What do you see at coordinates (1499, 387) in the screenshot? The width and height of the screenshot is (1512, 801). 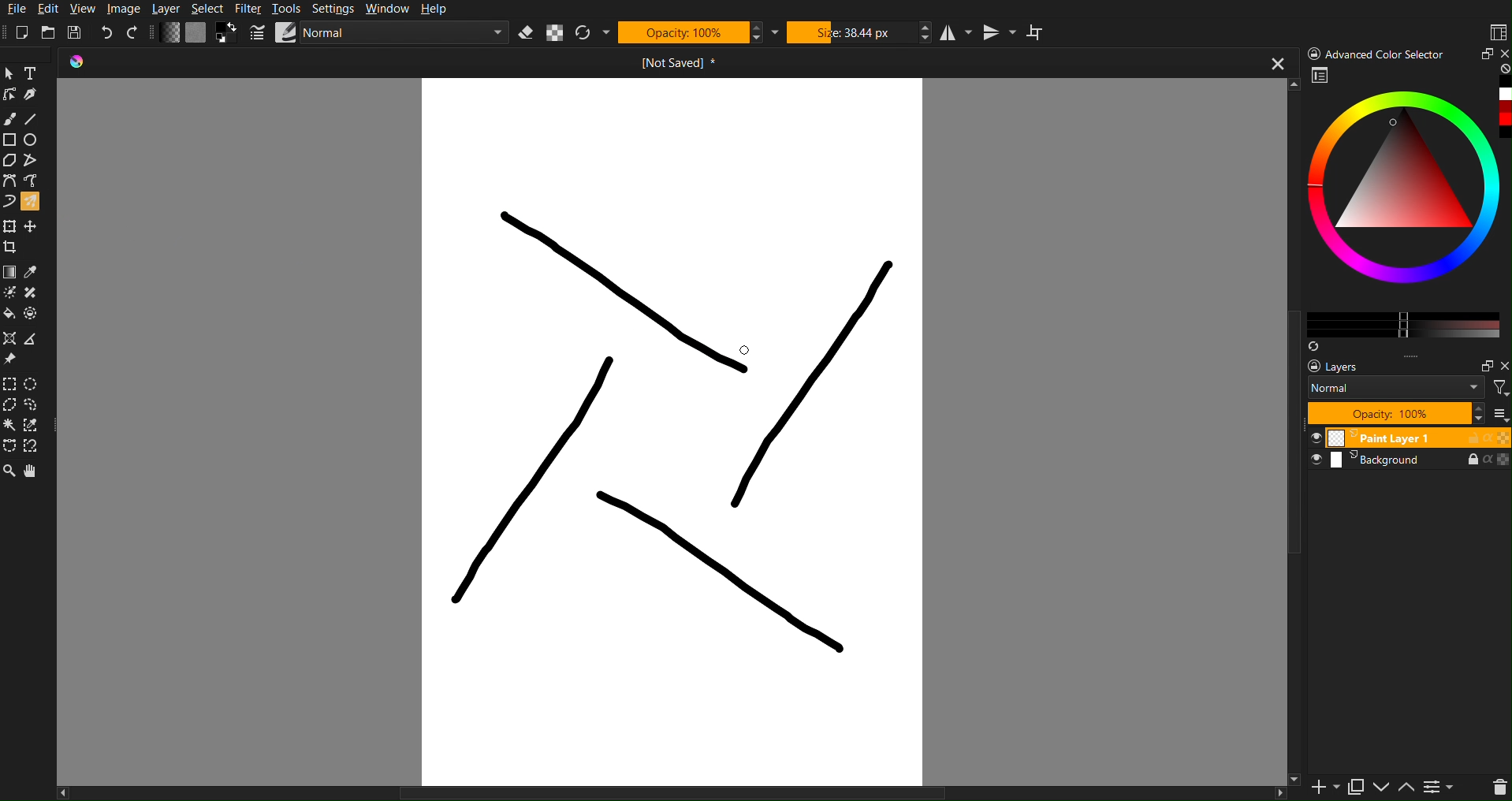 I see `filter` at bounding box center [1499, 387].